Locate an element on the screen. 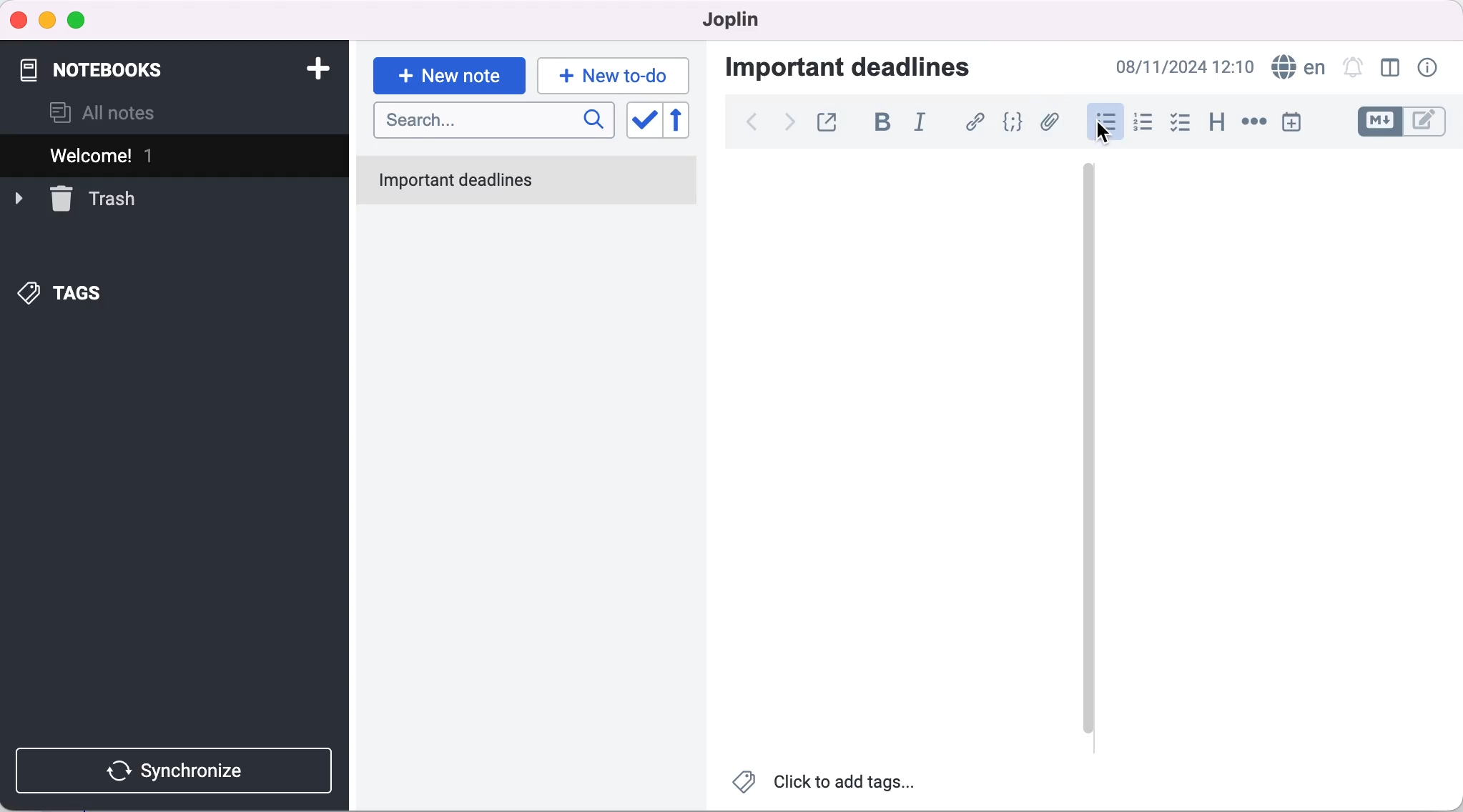 The height and width of the screenshot is (812, 1463). italic is located at coordinates (919, 124).